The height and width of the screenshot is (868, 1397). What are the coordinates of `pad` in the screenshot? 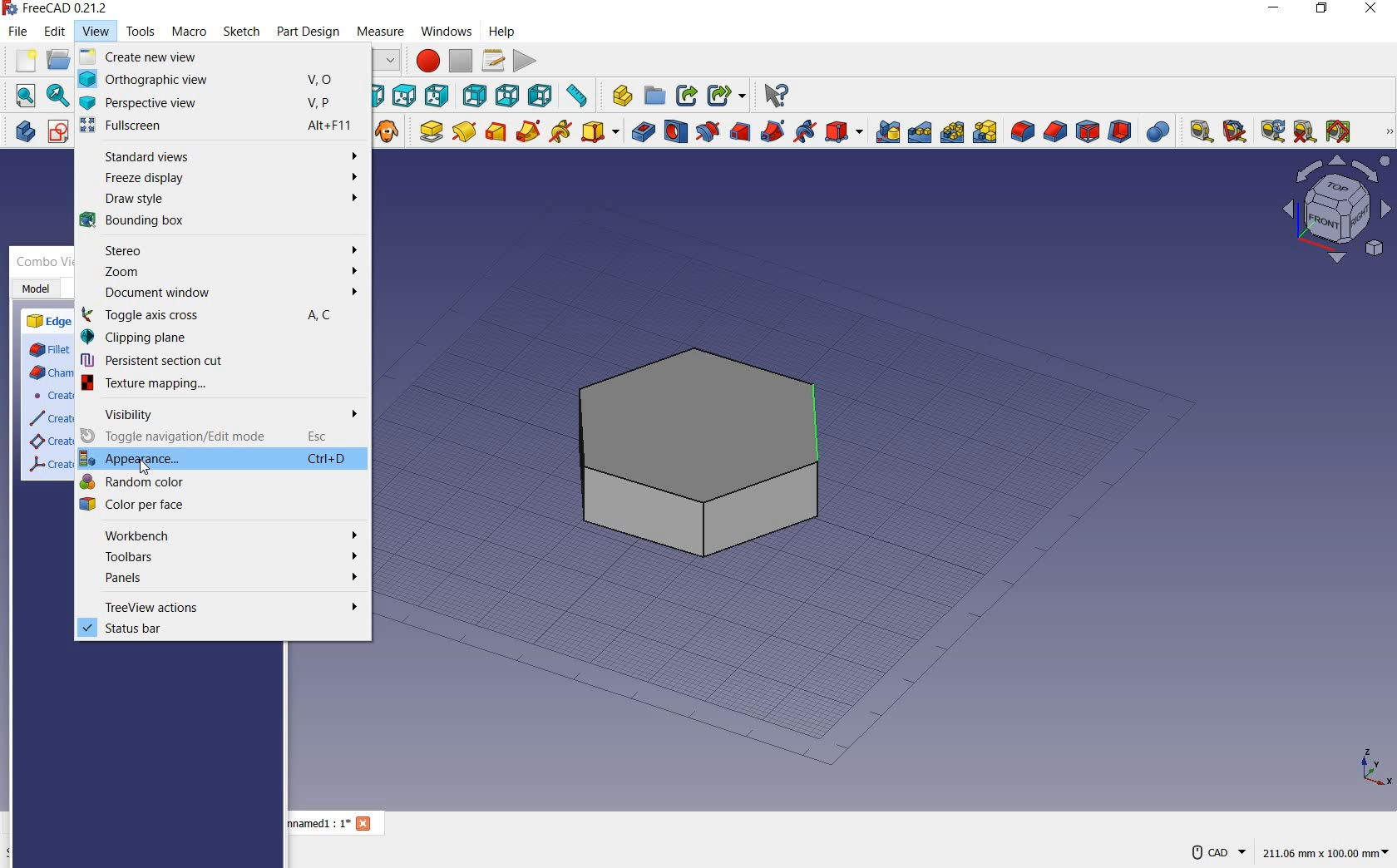 It's located at (428, 131).